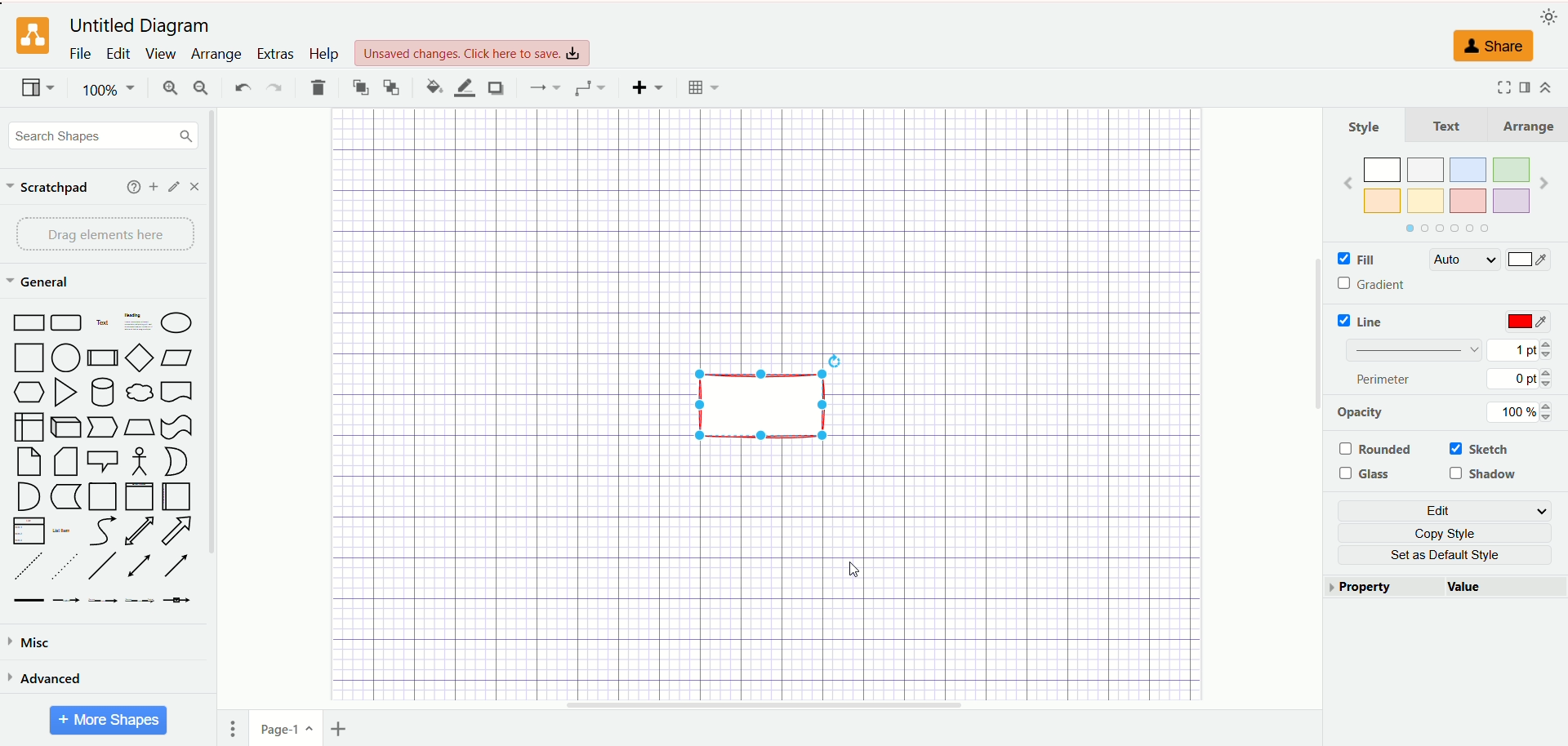 This screenshot has height=746, width=1568. What do you see at coordinates (131, 186) in the screenshot?
I see `help` at bounding box center [131, 186].